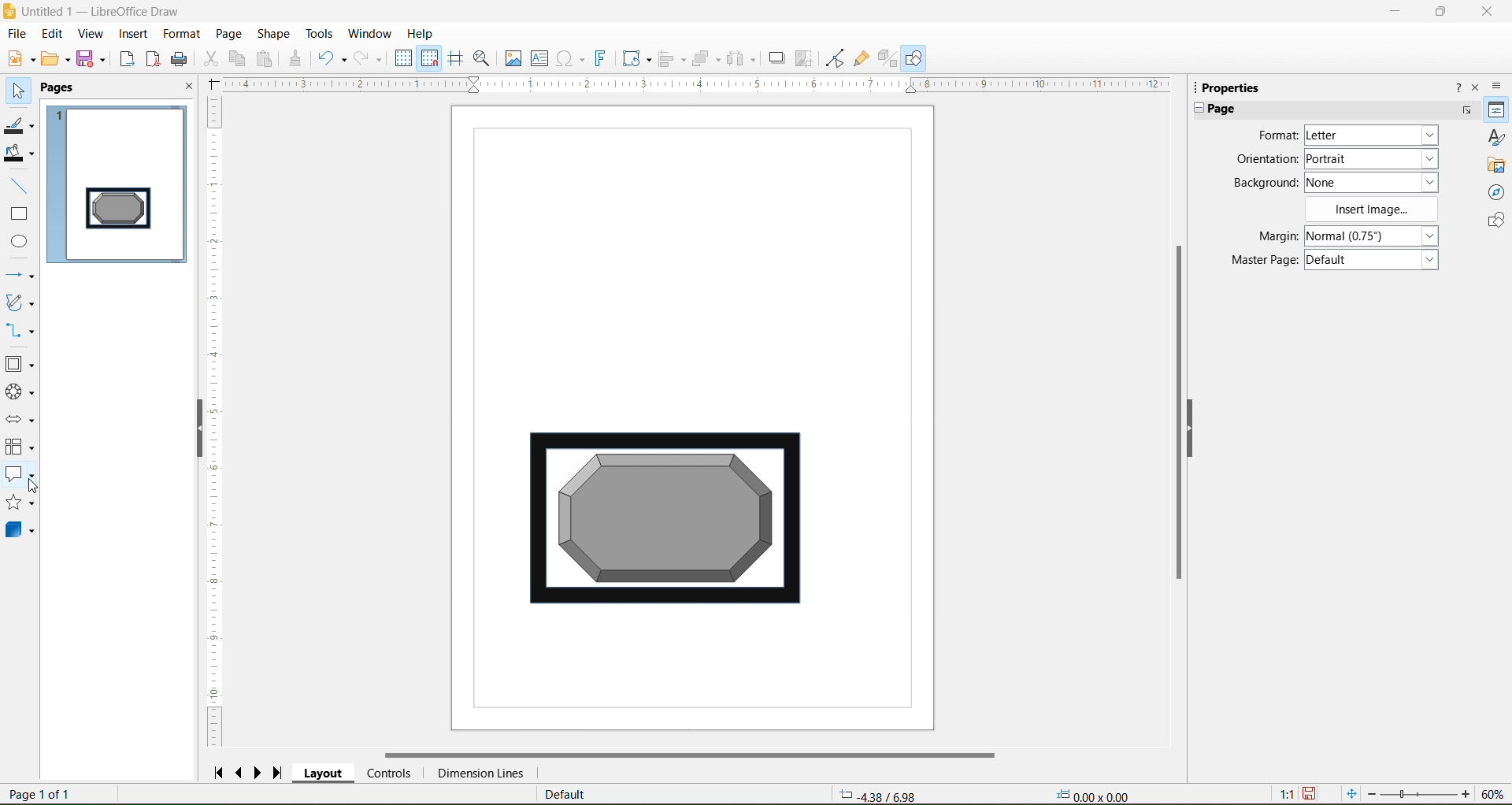 The image size is (1512, 805). Describe the element at coordinates (690, 753) in the screenshot. I see `Horizontal Scroll Bar` at that location.